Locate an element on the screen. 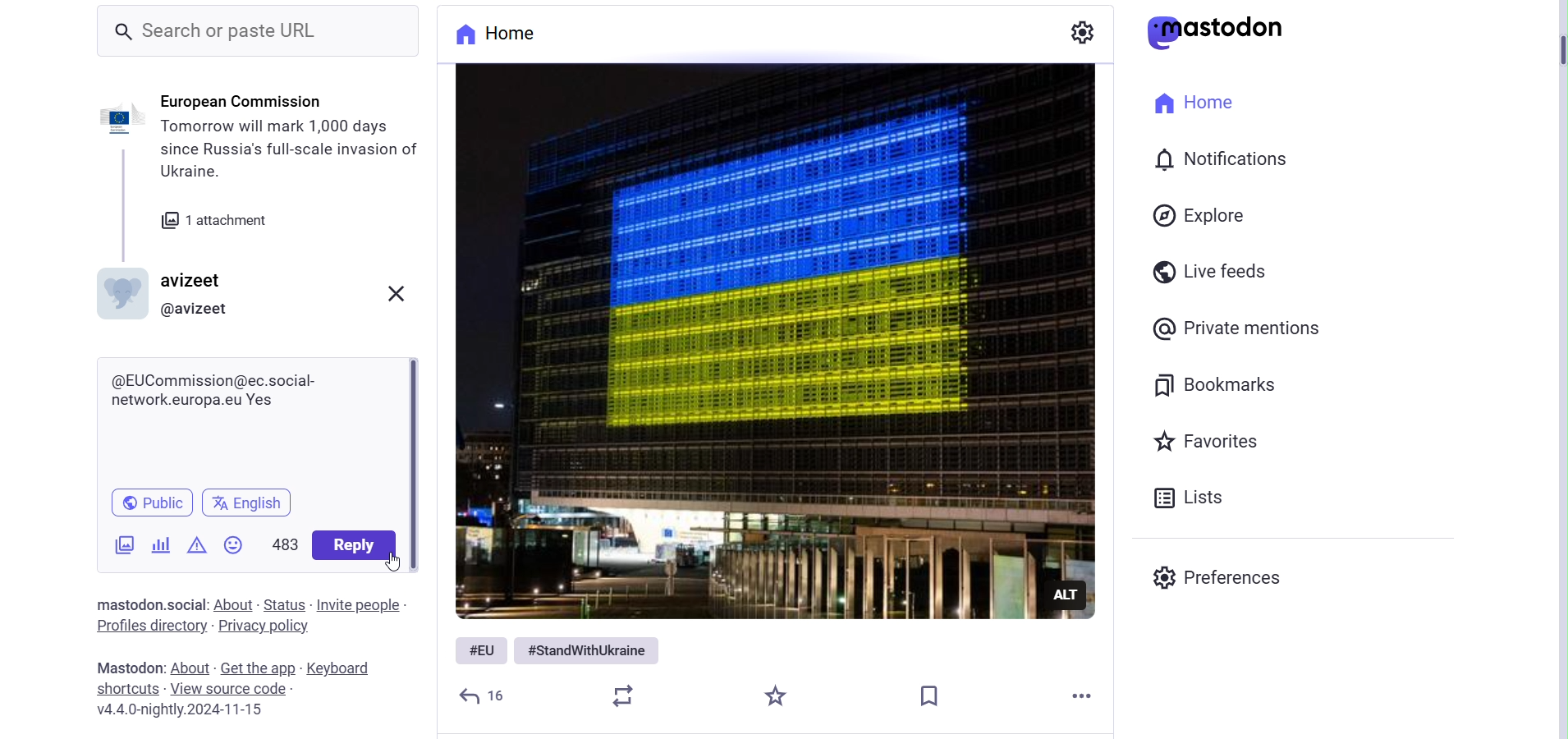 The height and width of the screenshot is (739, 1568). Reply Bar is located at coordinates (258, 418).